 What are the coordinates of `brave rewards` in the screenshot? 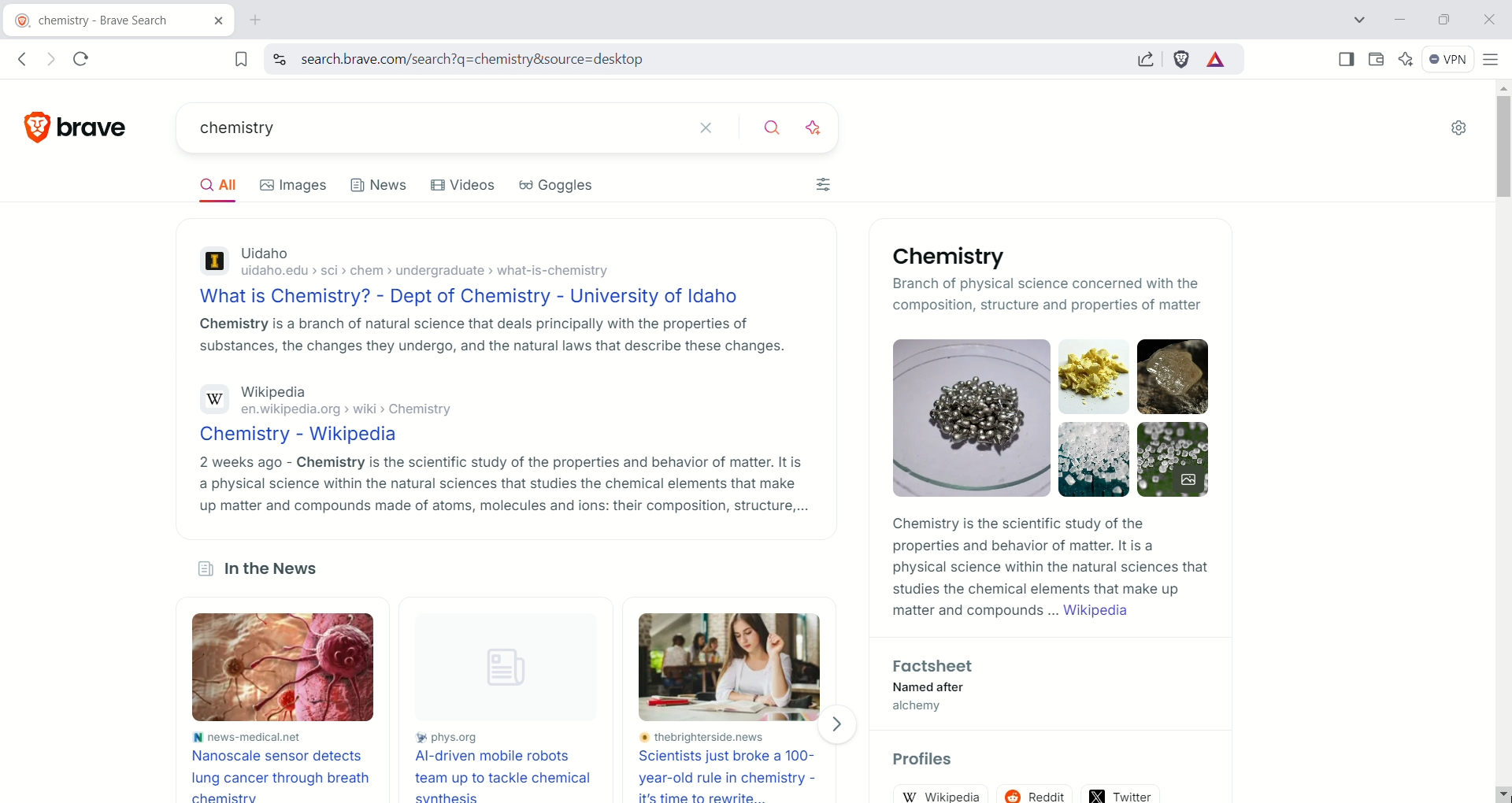 It's located at (1217, 61).